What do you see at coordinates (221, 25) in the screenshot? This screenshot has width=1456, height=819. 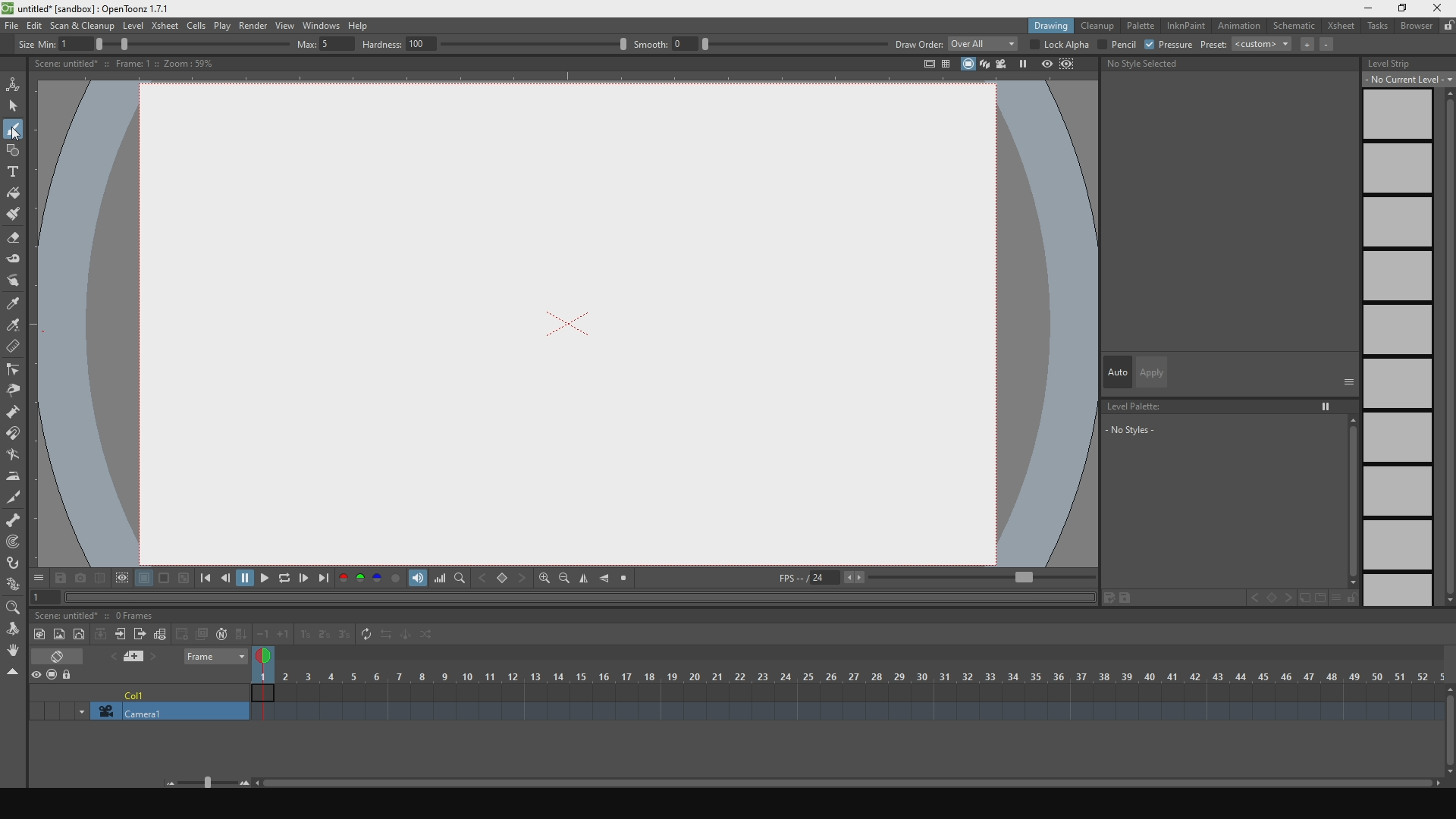 I see `plat` at bounding box center [221, 25].